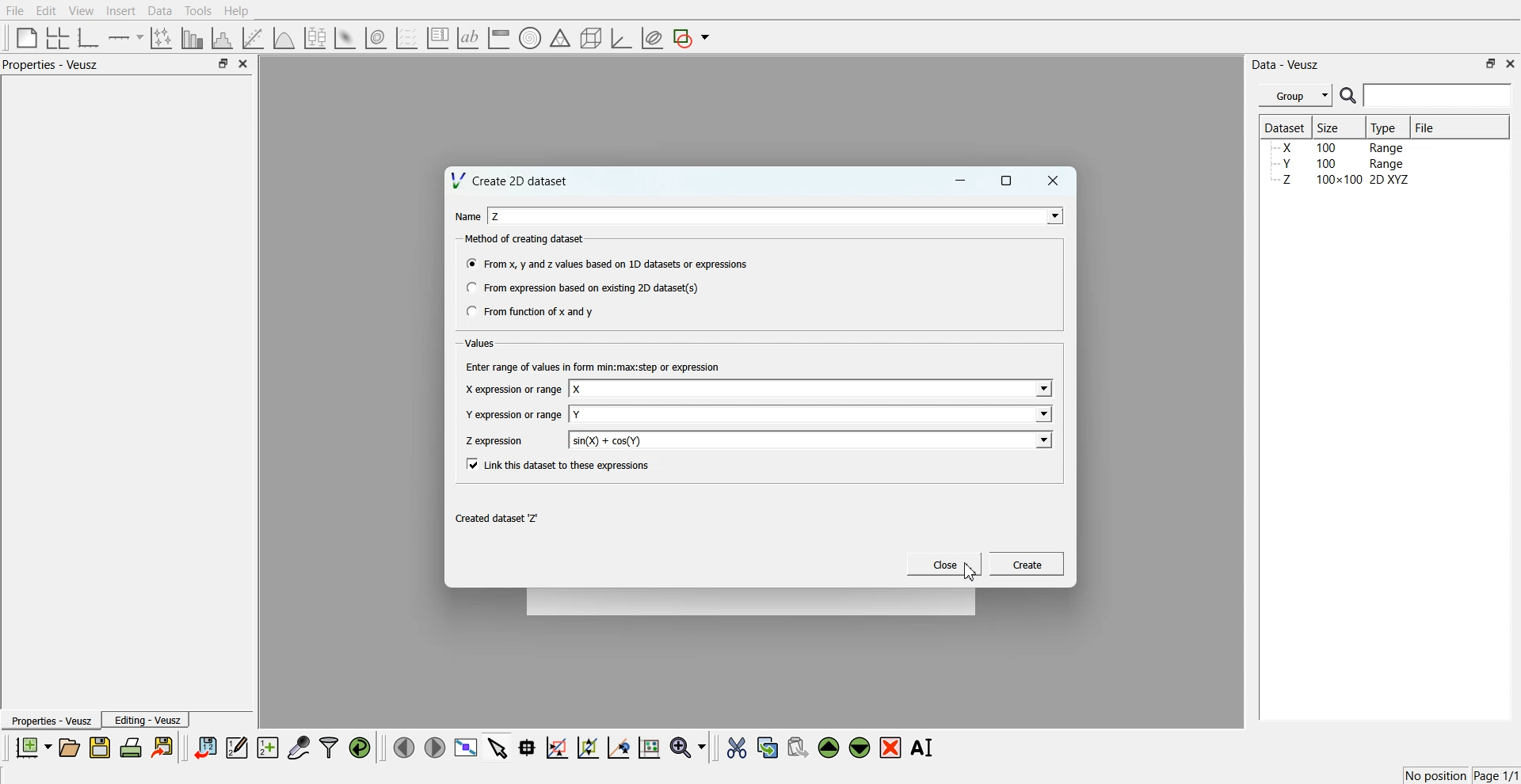  Describe the element at coordinates (329, 747) in the screenshot. I see `Filter dataset` at that location.